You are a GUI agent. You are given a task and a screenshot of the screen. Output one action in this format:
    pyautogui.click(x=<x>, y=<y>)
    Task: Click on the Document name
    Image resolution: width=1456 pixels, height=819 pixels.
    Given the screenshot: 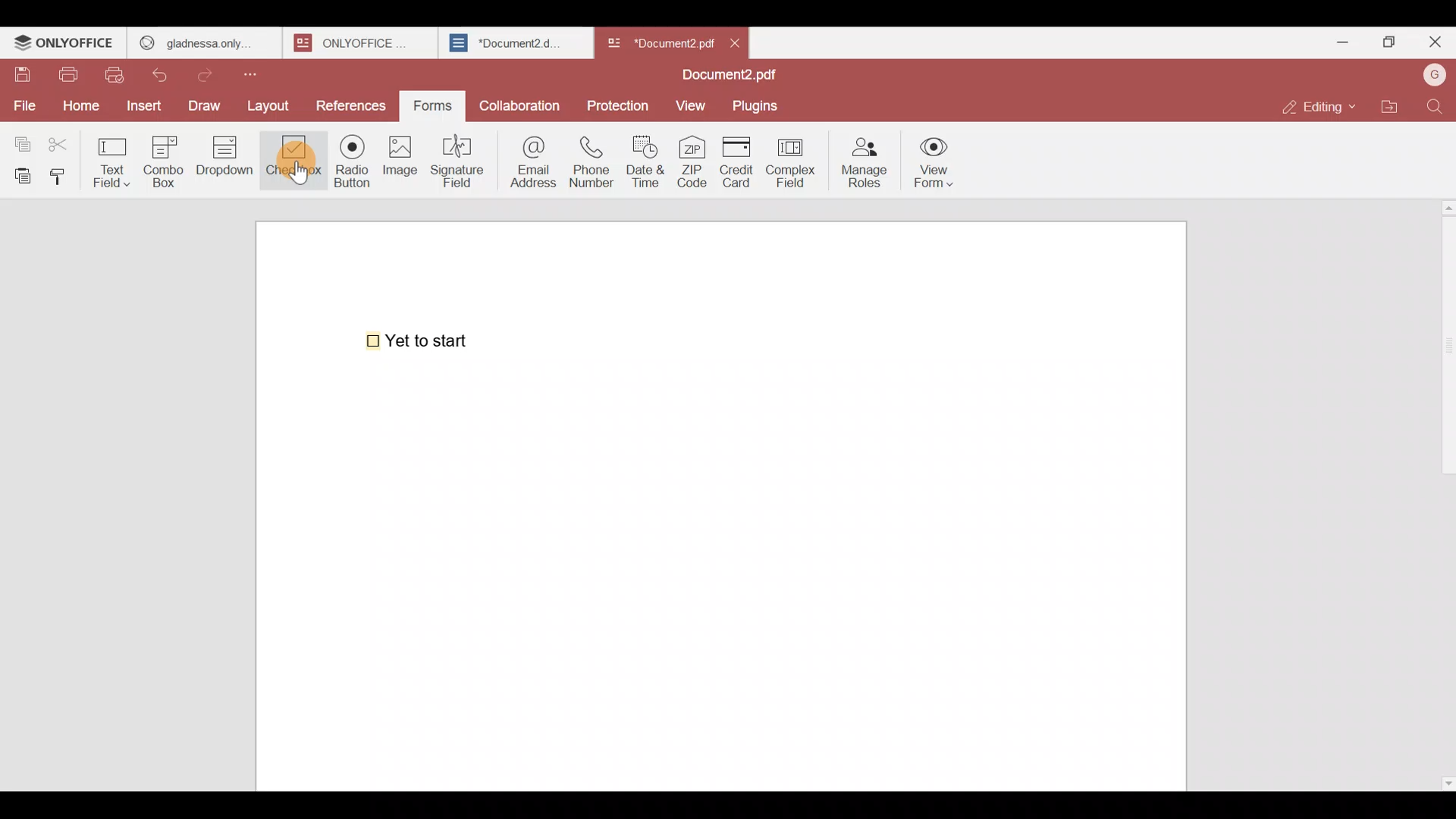 What is the action you would take?
    pyautogui.click(x=659, y=39)
    